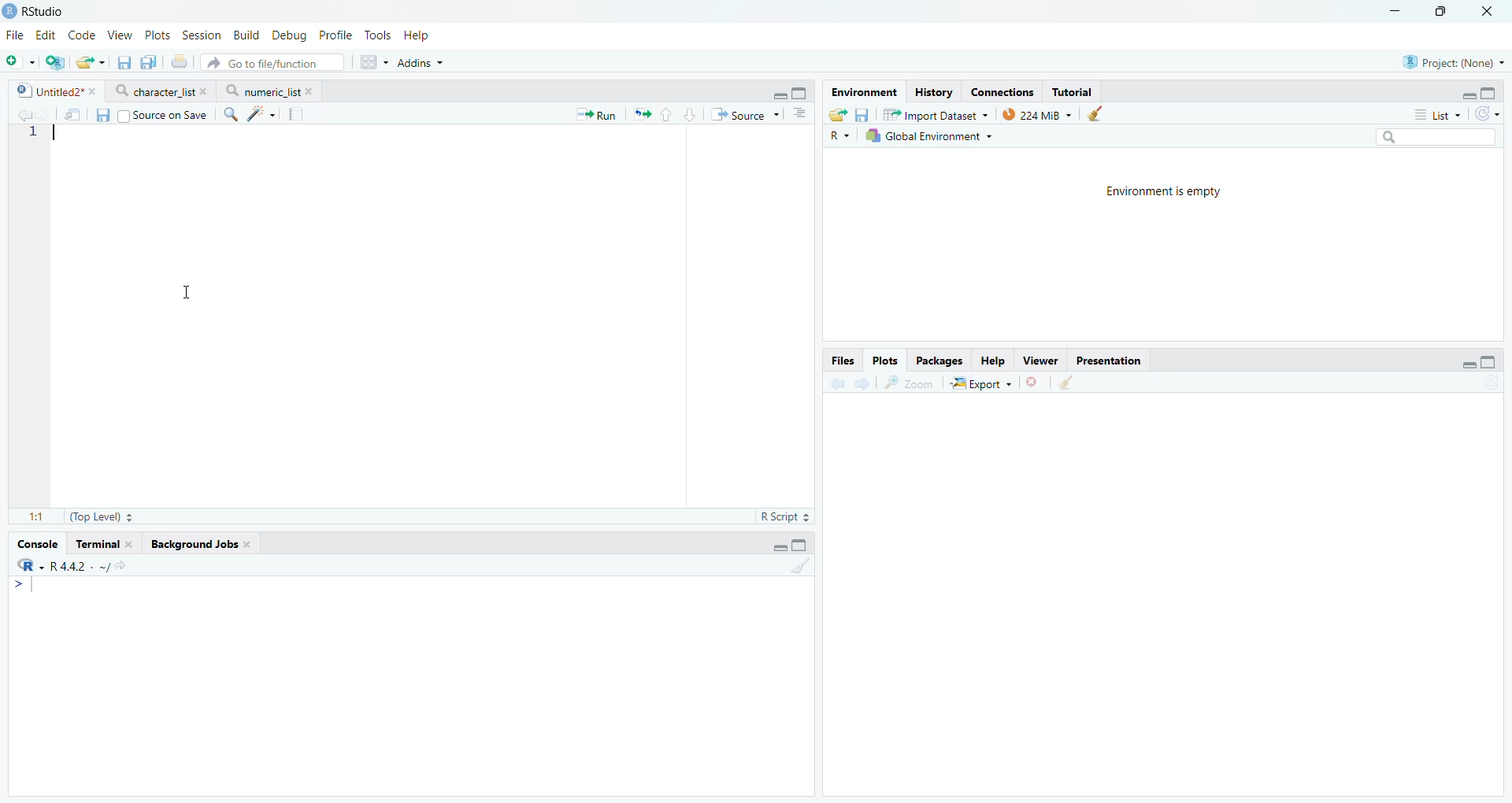 Image resolution: width=1512 pixels, height=803 pixels. Describe the element at coordinates (934, 91) in the screenshot. I see `History` at that location.